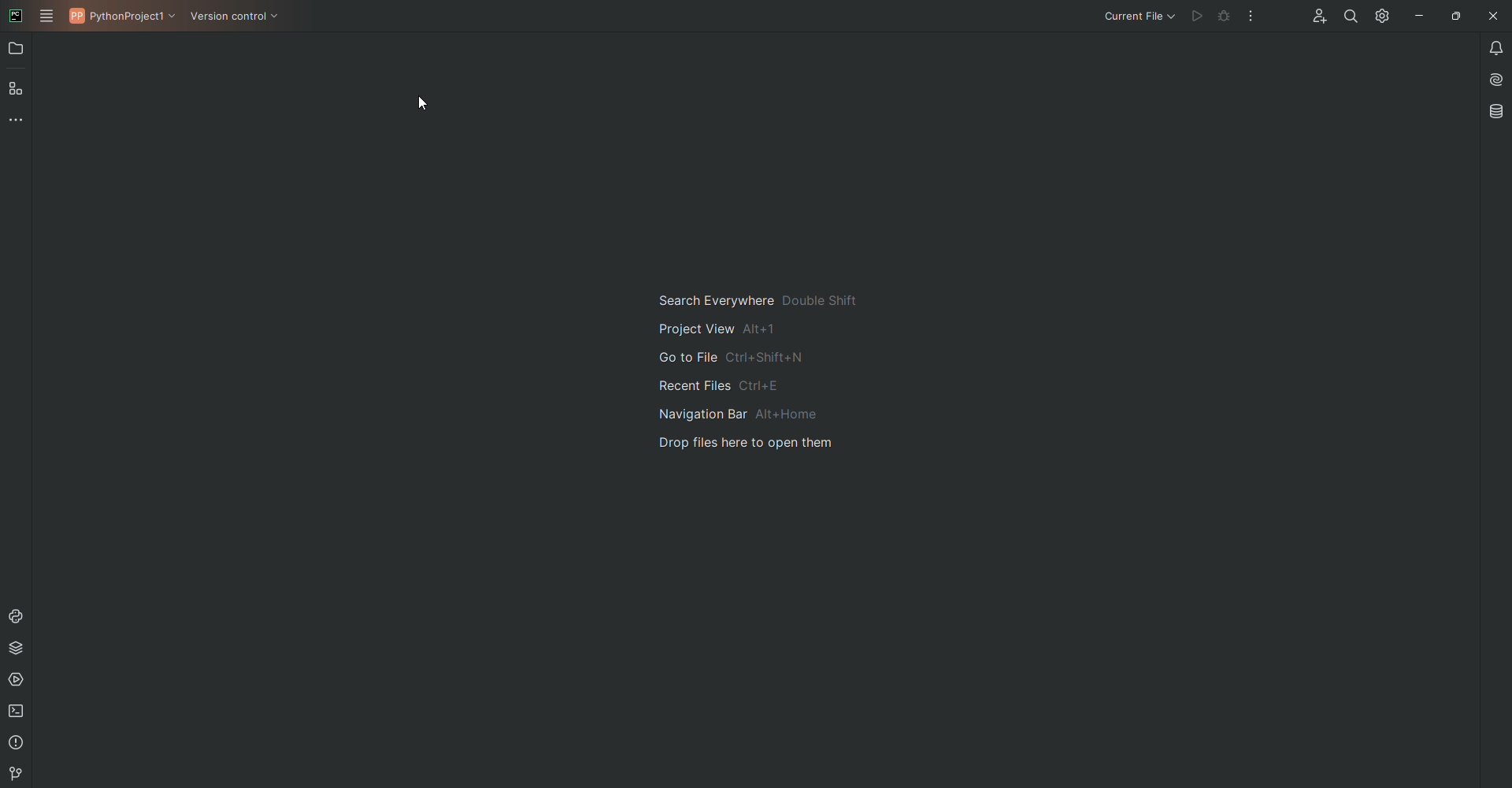 The image size is (1512, 788). What do you see at coordinates (1314, 18) in the screenshot?
I see `Code With Me` at bounding box center [1314, 18].